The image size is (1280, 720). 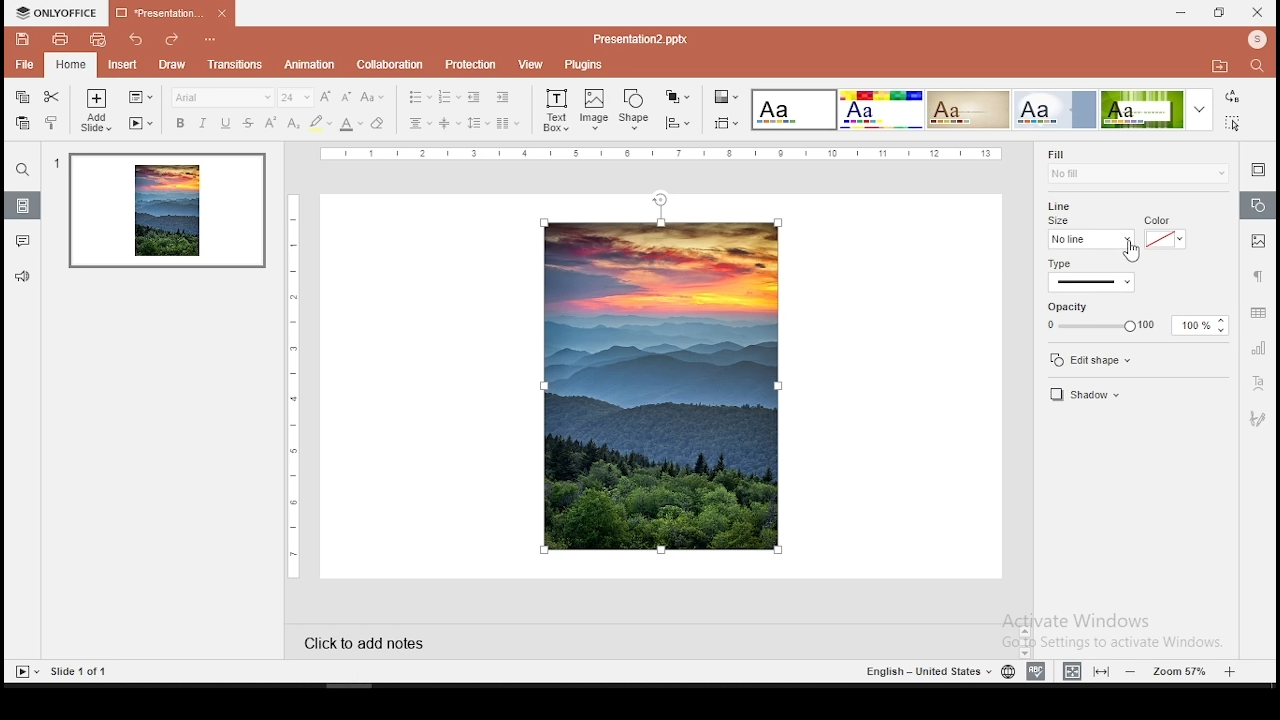 I want to click on line, so click(x=1062, y=205).